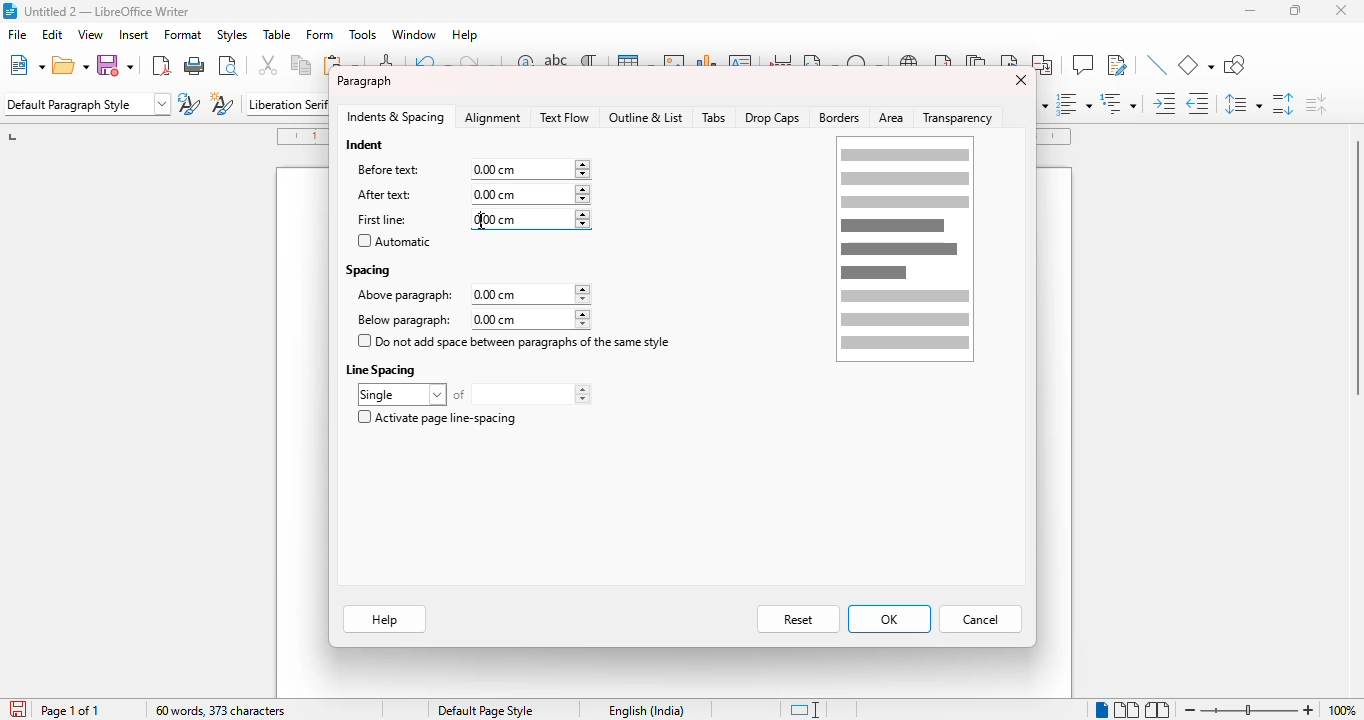  Describe the element at coordinates (1165, 103) in the screenshot. I see `increase indent` at that location.